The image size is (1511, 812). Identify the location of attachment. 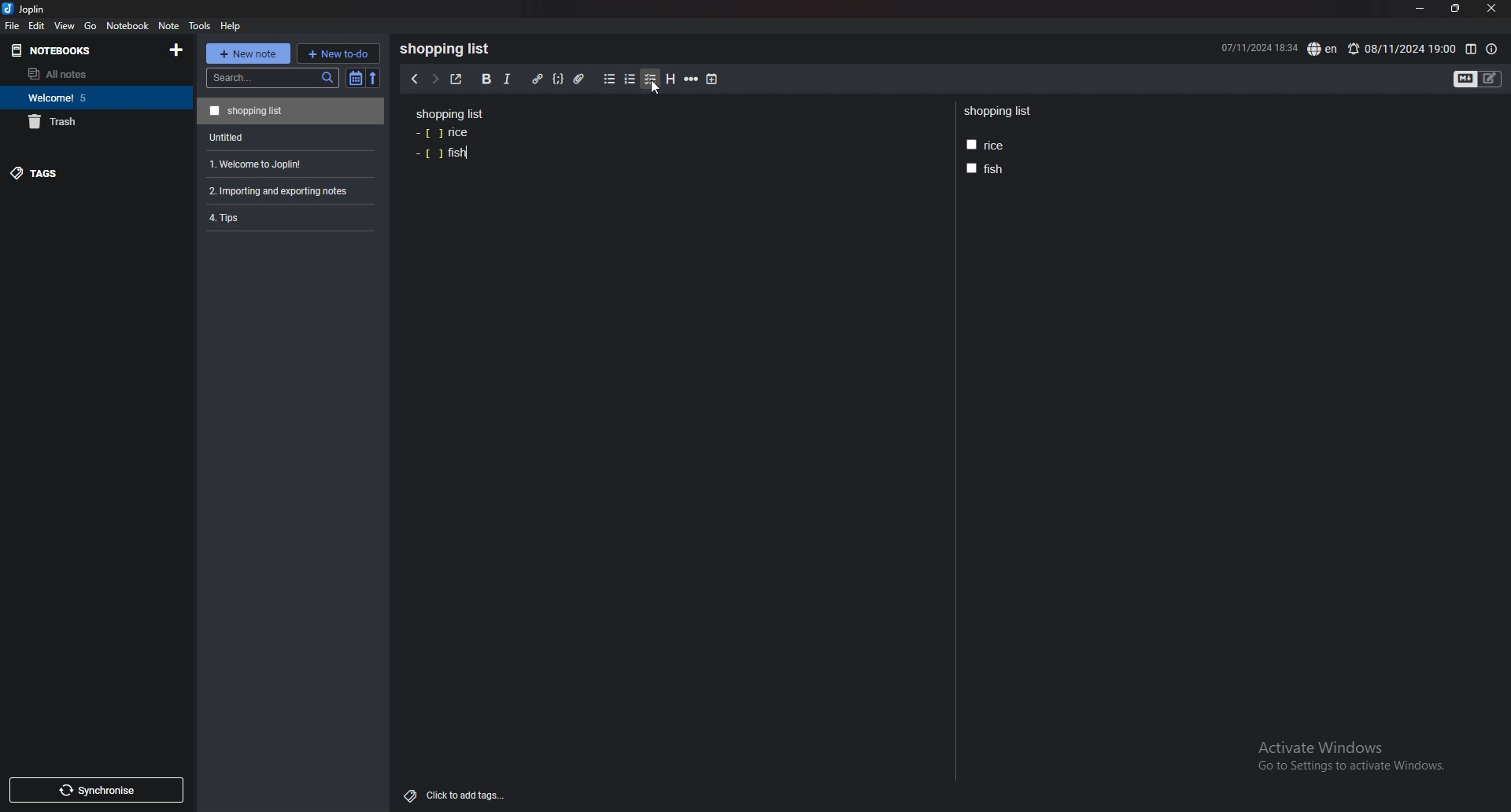
(582, 79).